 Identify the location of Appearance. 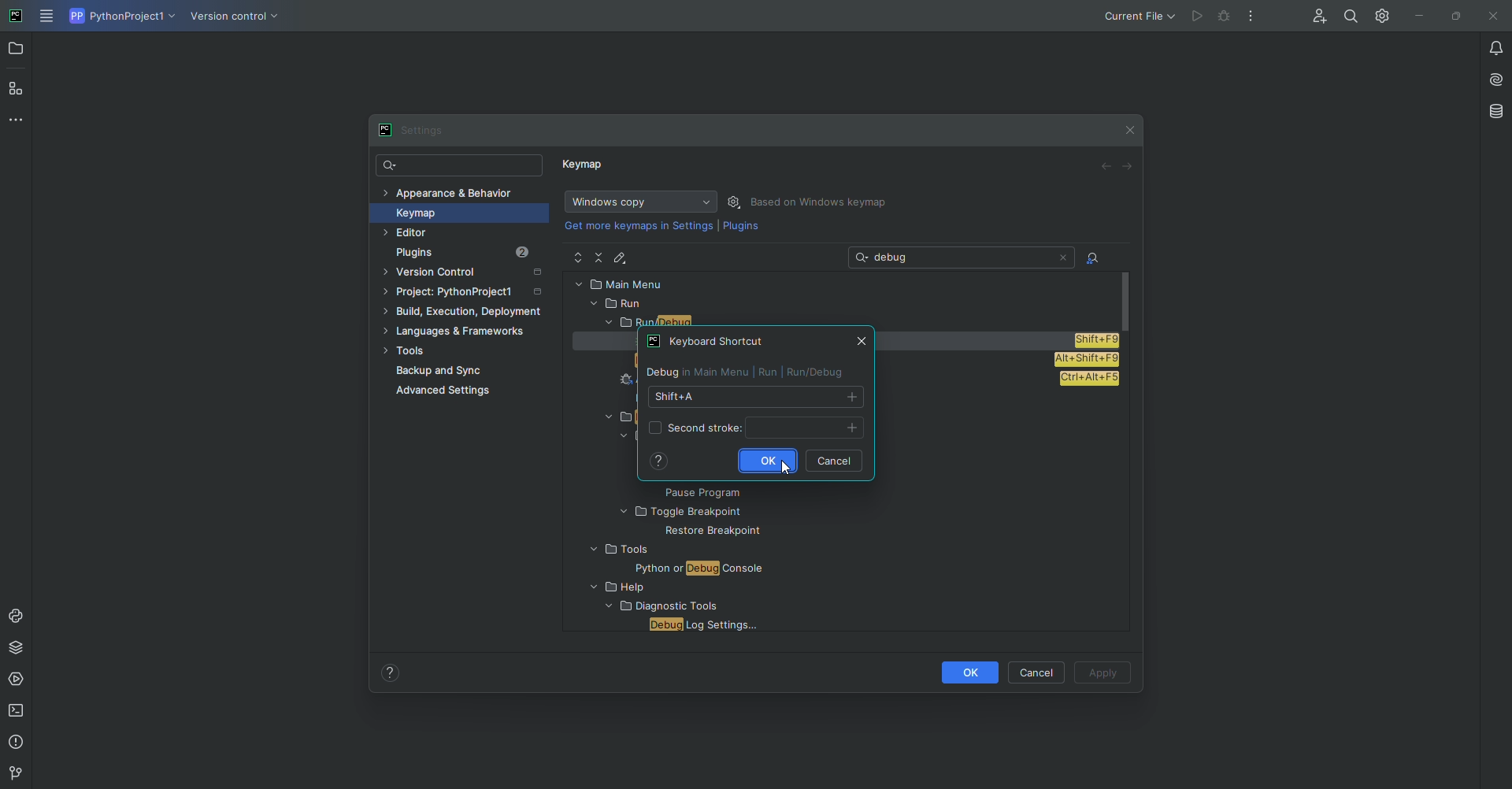
(449, 191).